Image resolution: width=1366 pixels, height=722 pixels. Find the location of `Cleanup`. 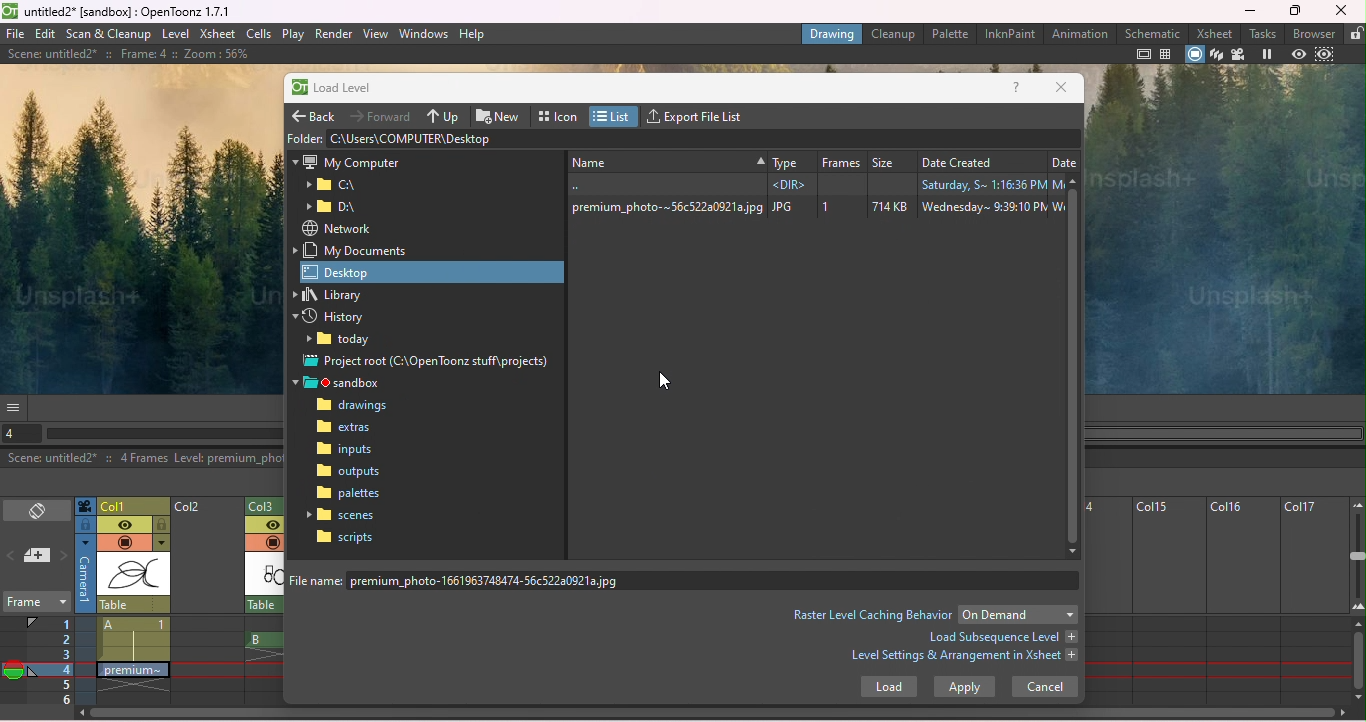

Cleanup is located at coordinates (896, 33).